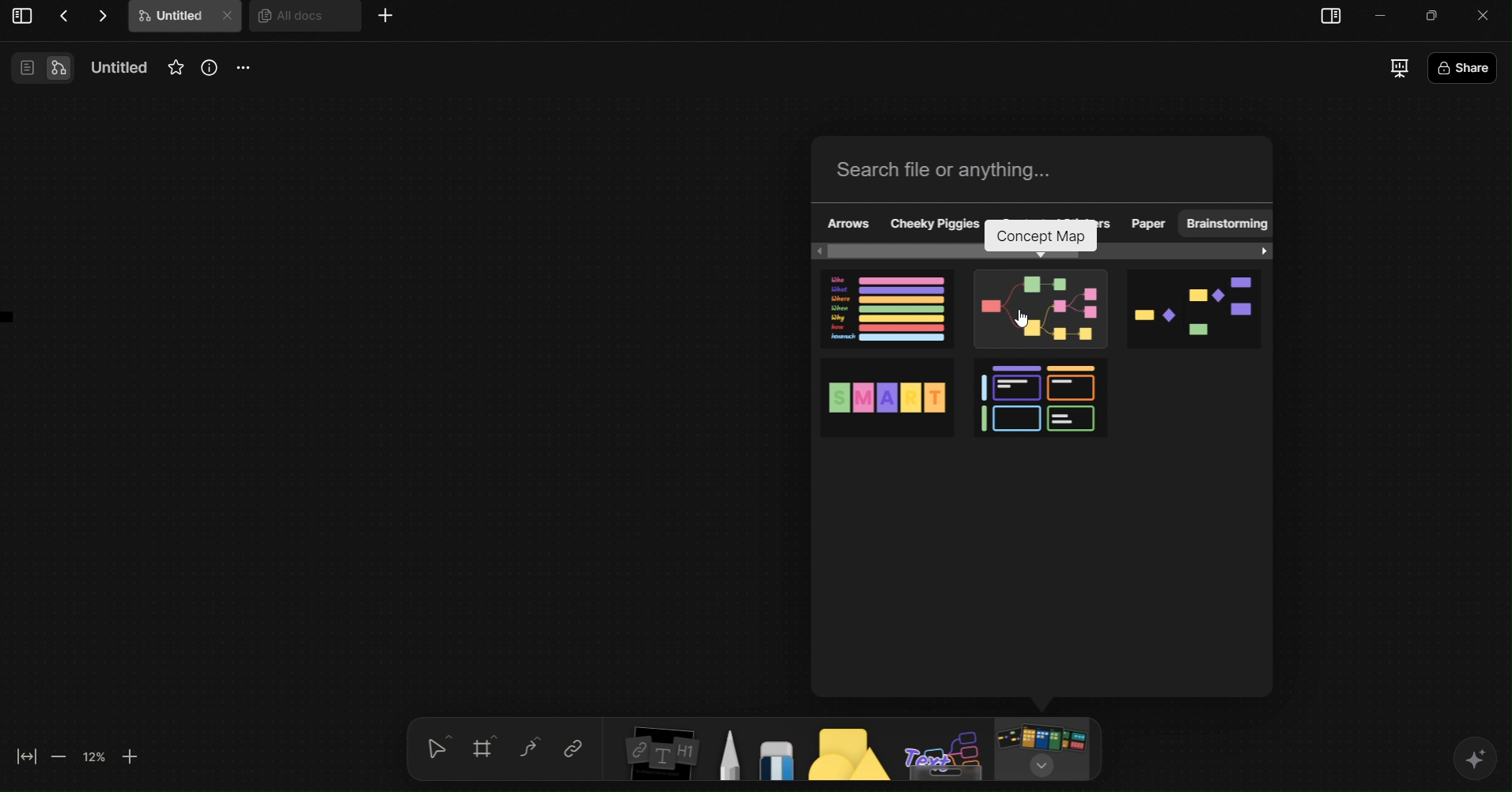 The height and width of the screenshot is (792, 1512). I want to click on Grid tool, so click(483, 749).